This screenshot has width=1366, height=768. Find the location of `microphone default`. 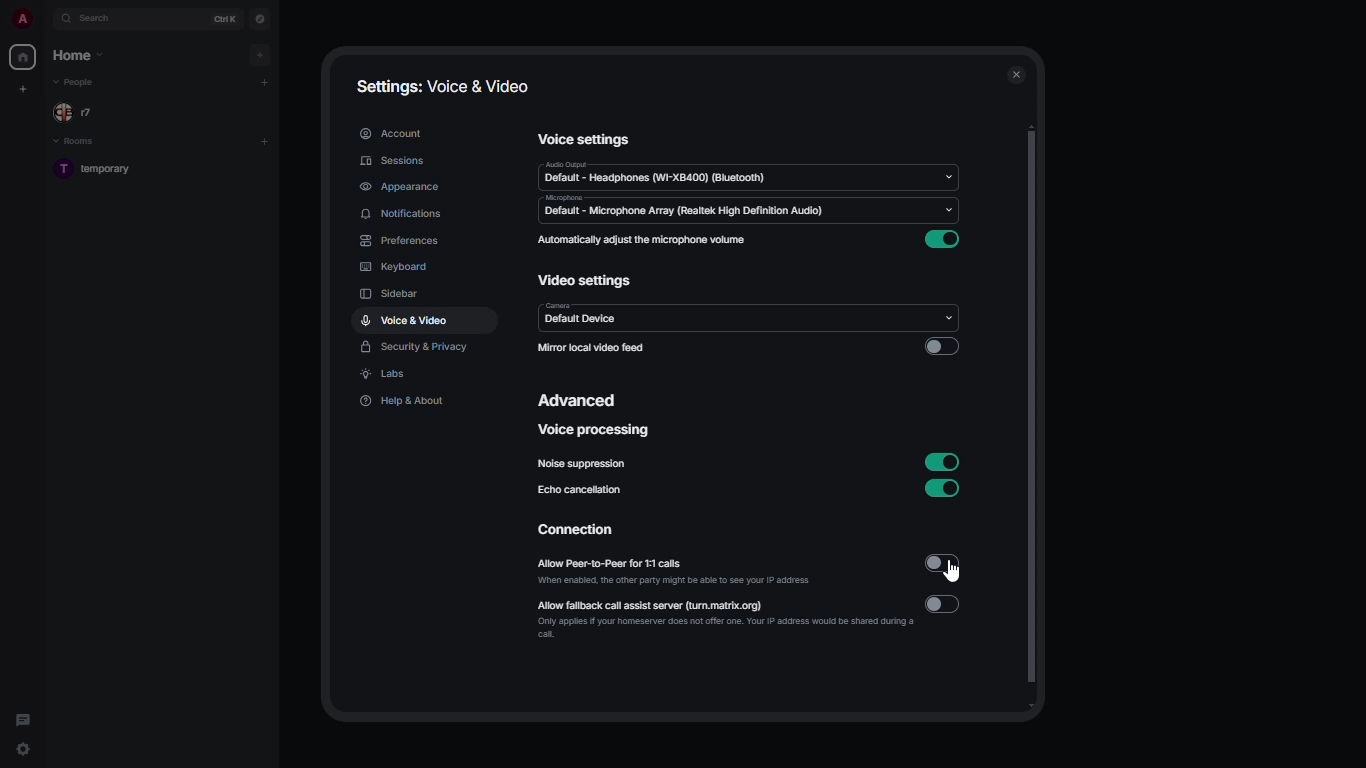

microphone default is located at coordinates (686, 208).